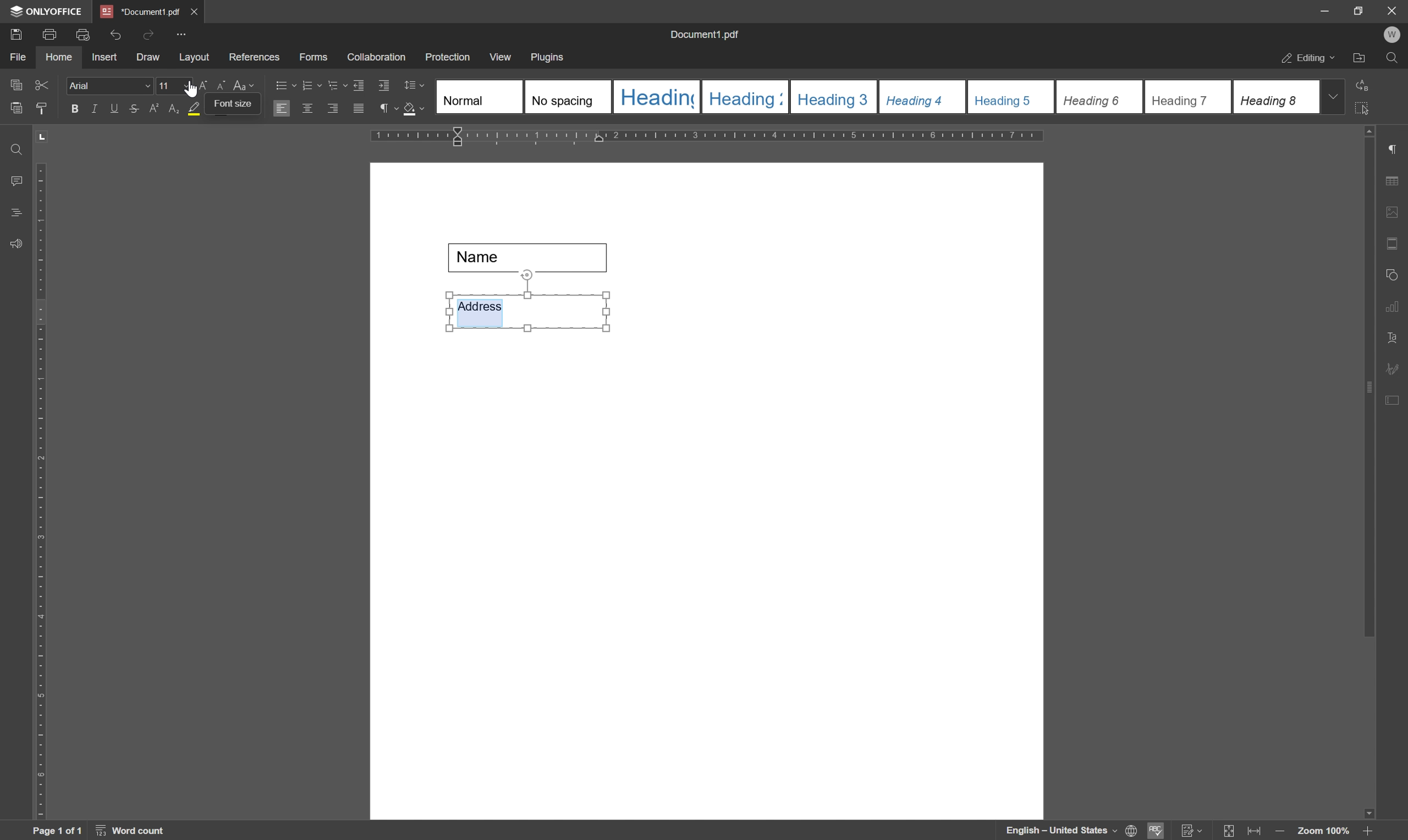 This screenshot has width=1408, height=840. I want to click on subscript, so click(172, 109).